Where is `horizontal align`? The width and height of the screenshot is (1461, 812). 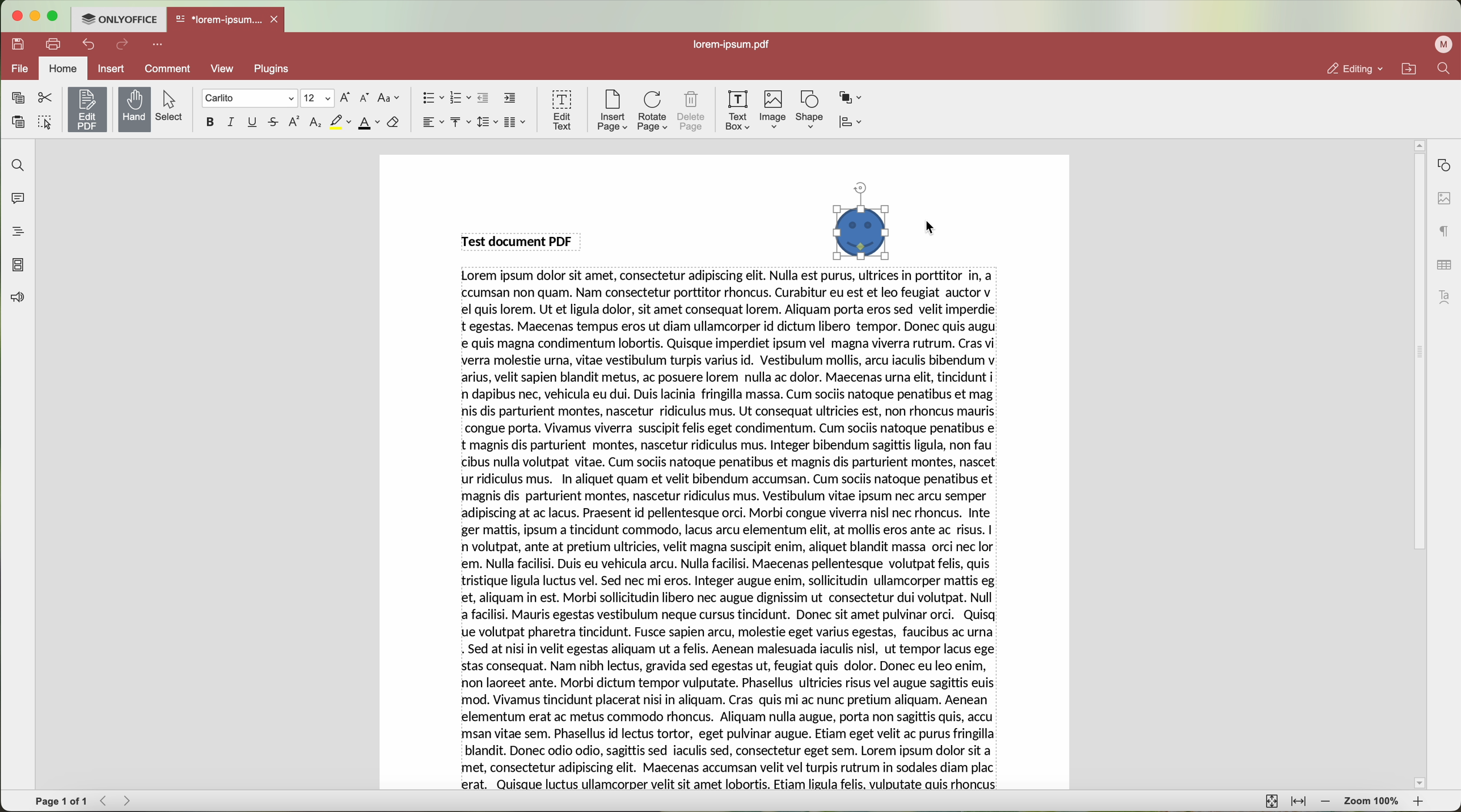 horizontal align is located at coordinates (430, 122).